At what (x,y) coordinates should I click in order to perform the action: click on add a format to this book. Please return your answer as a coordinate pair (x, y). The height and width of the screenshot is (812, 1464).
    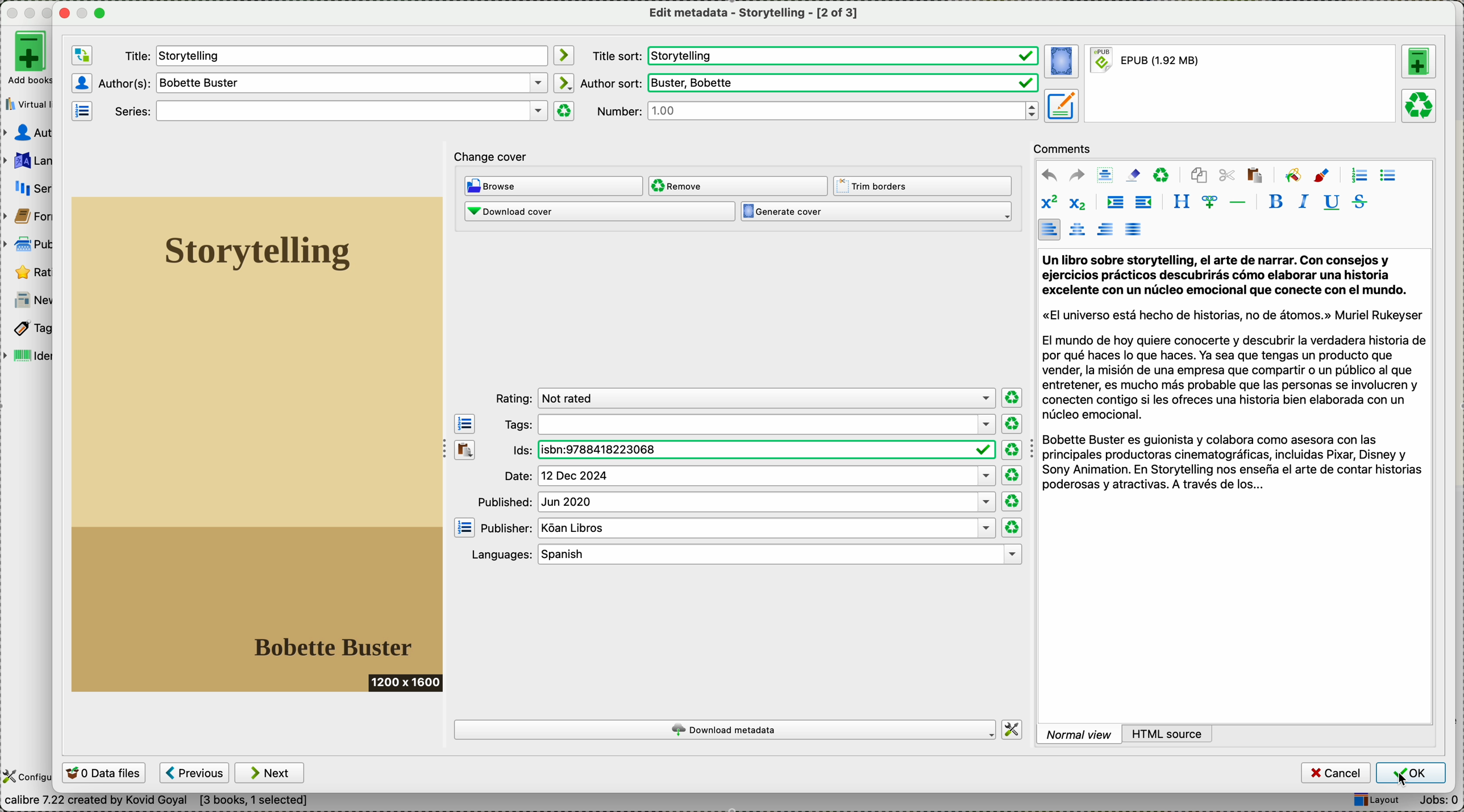
    Looking at the image, I should click on (1419, 62).